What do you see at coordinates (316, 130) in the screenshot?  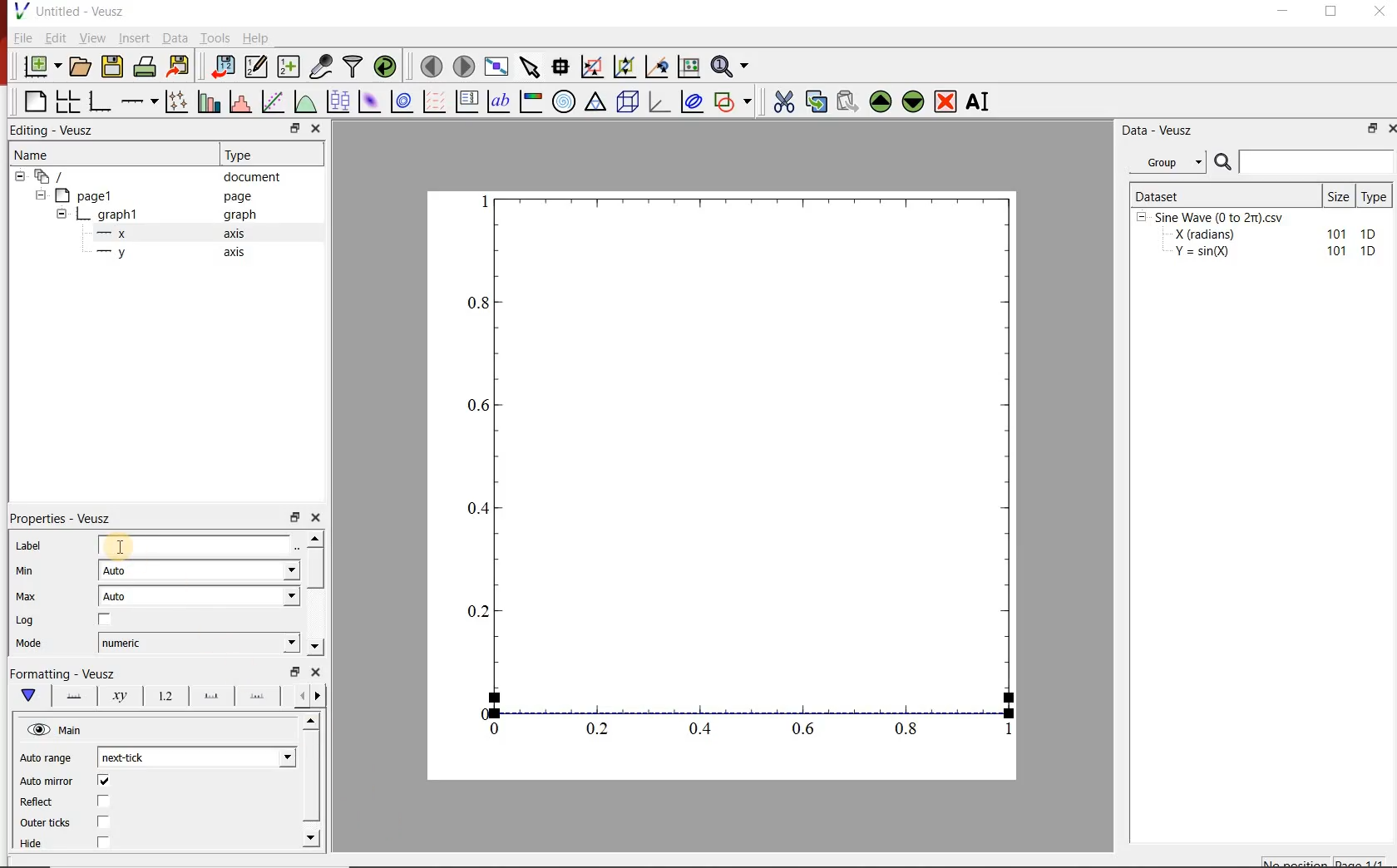 I see `Close` at bounding box center [316, 130].